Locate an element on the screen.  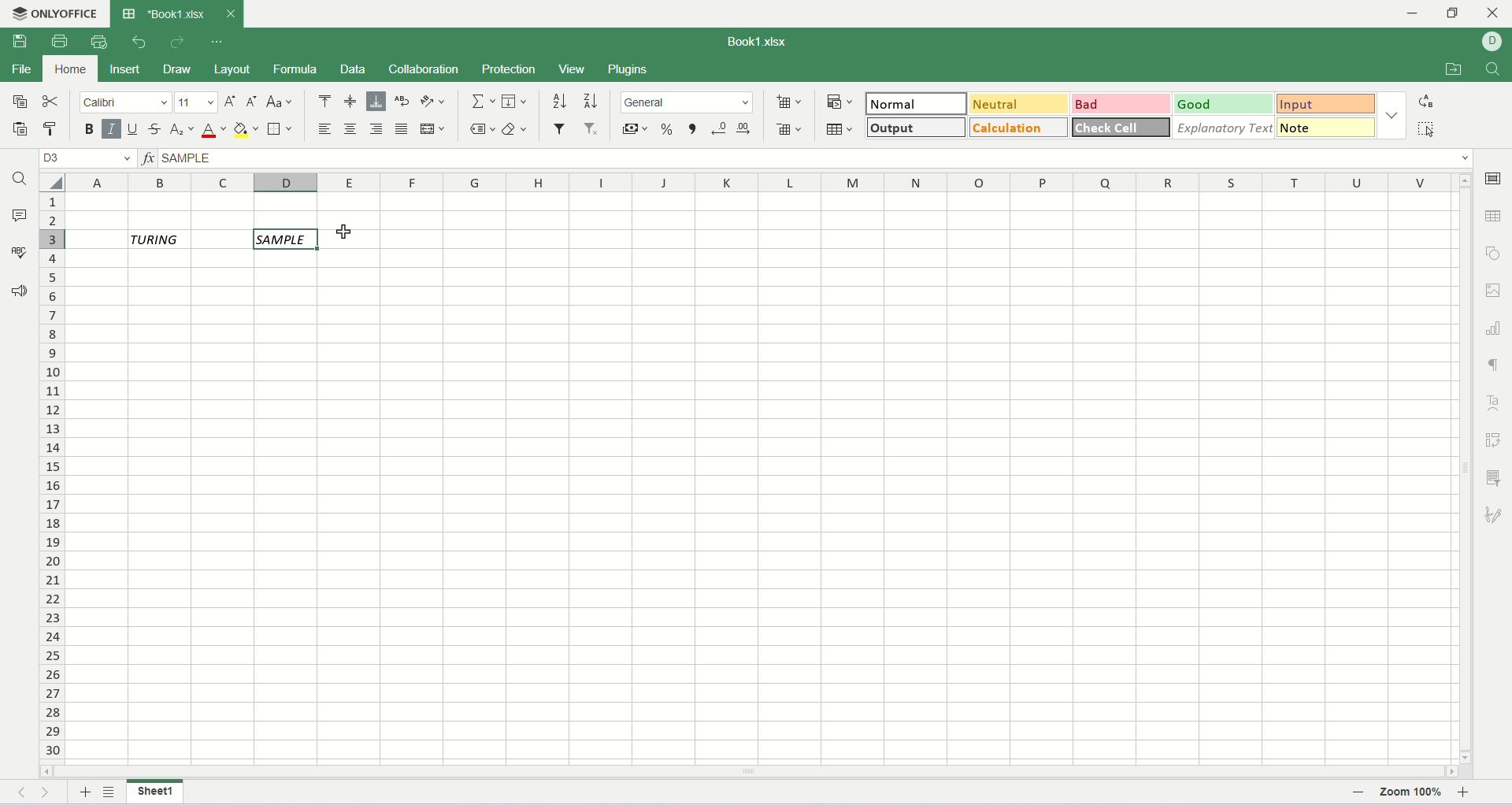
signature settings is located at coordinates (1493, 516).